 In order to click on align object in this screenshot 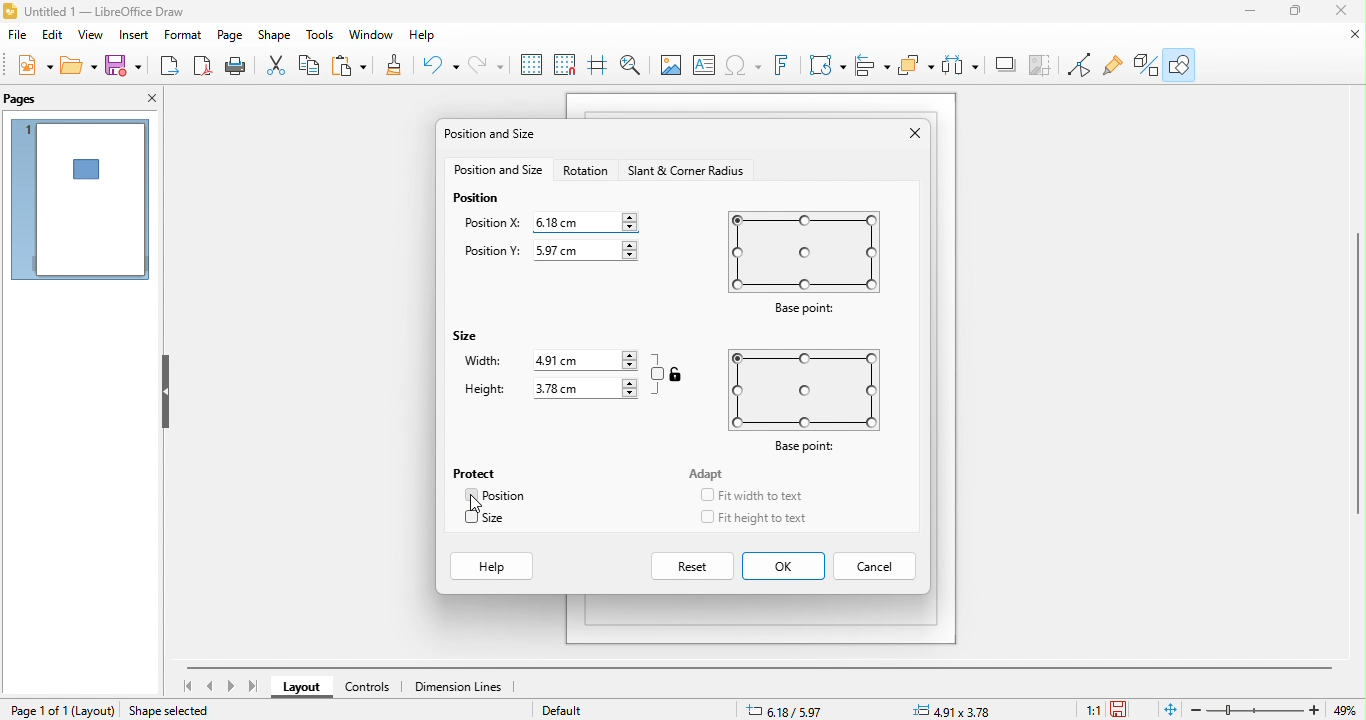, I will do `click(872, 65)`.